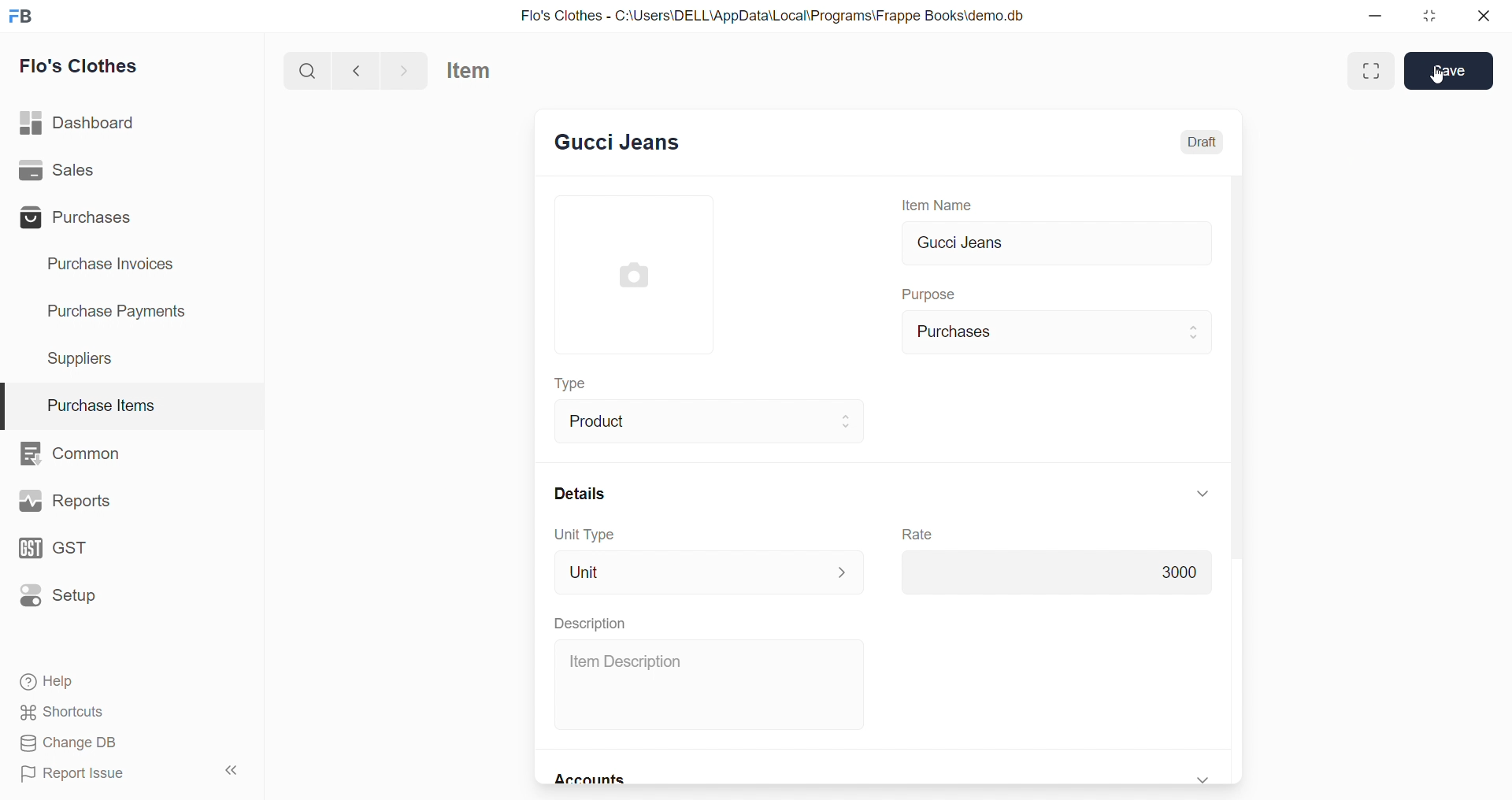  What do you see at coordinates (122, 312) in the screenshot?
I see `Purchase Payments` at bounding box center [122, 312].